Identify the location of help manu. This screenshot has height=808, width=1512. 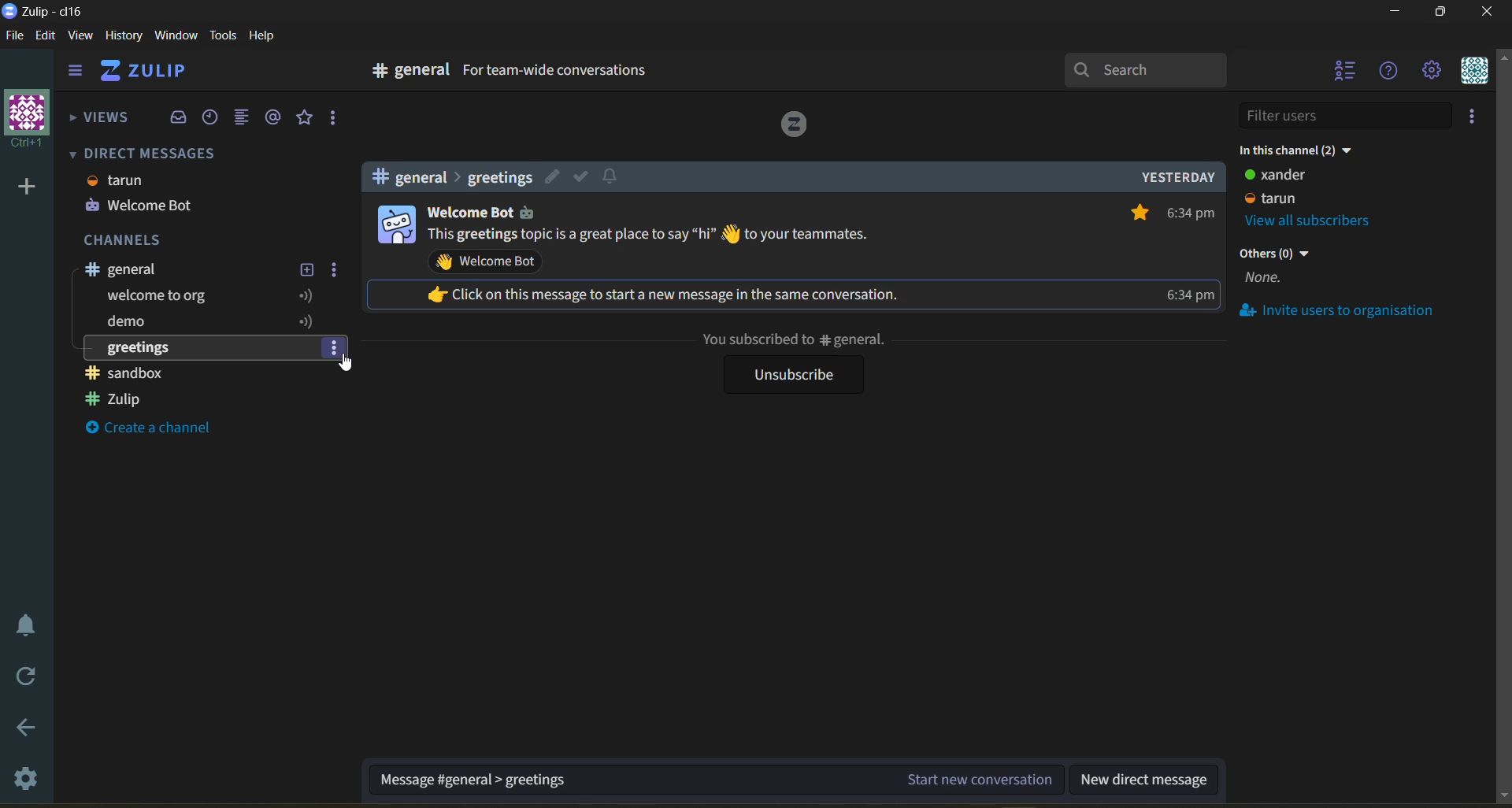
(1390, 71).